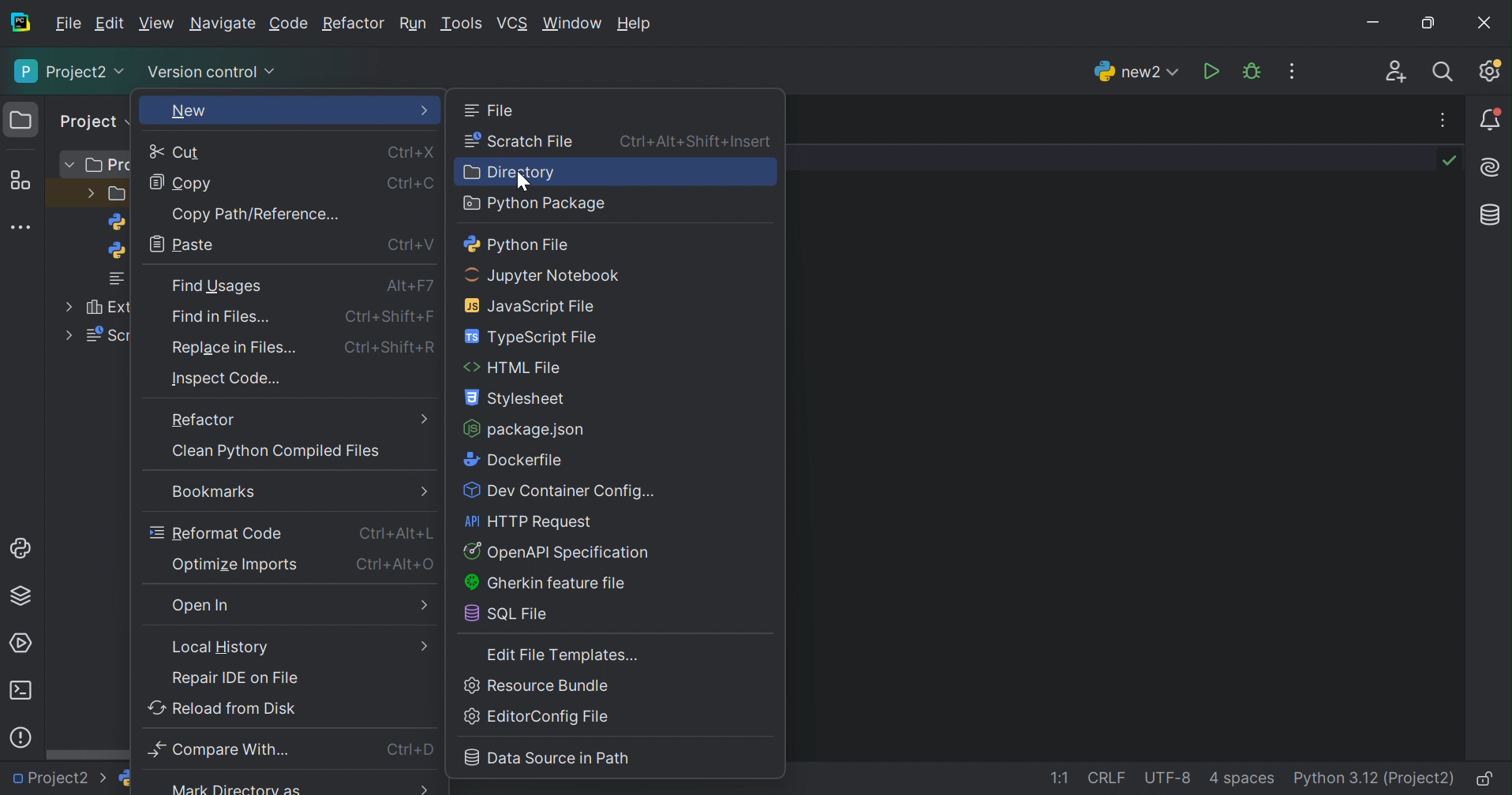 The width and height of the screenshot is (1512, 795). I want to click on Code, so click(290, 24).